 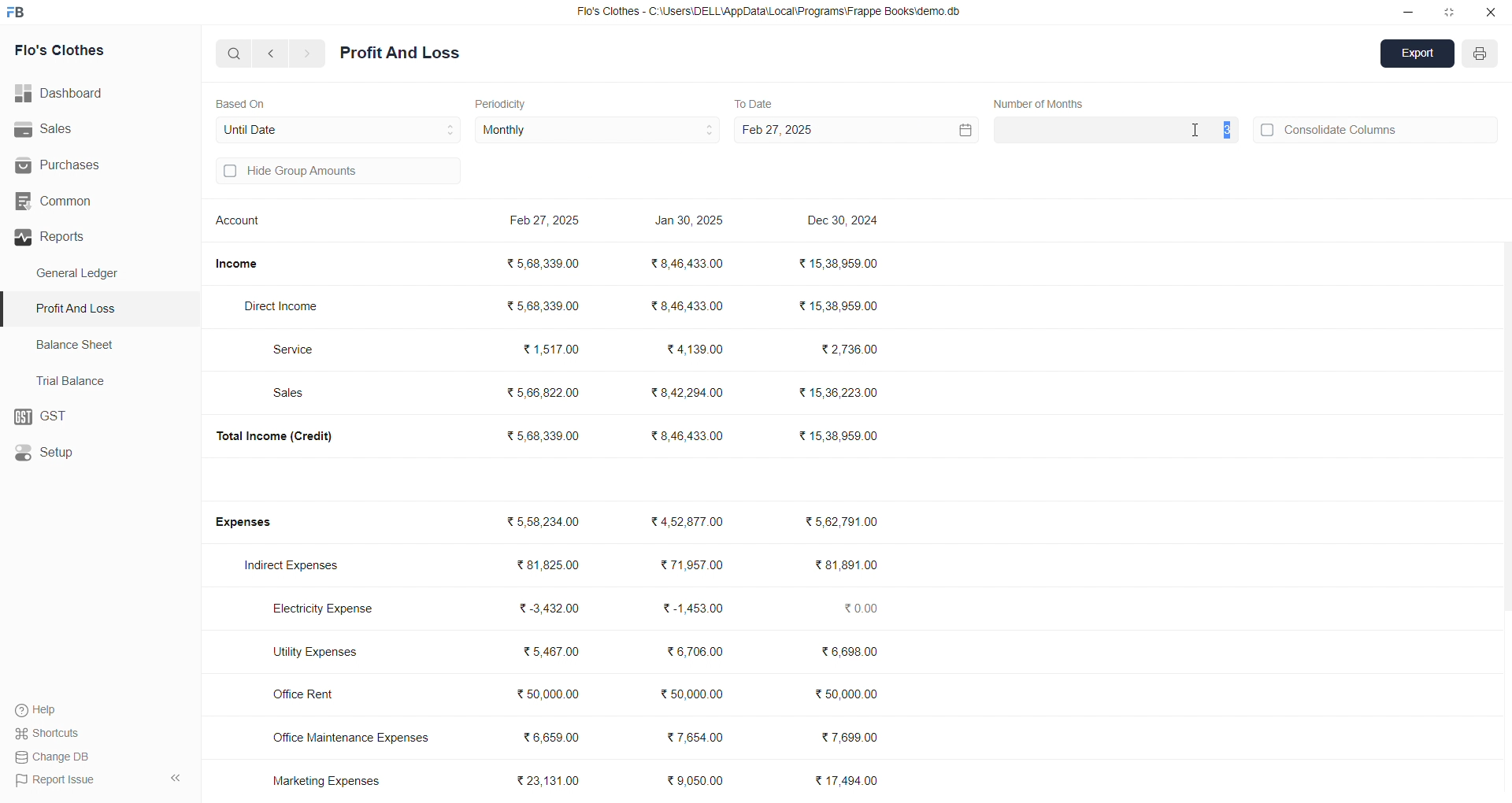 I want to click on ₹ 9,050.00, so click(x=700, y=783).